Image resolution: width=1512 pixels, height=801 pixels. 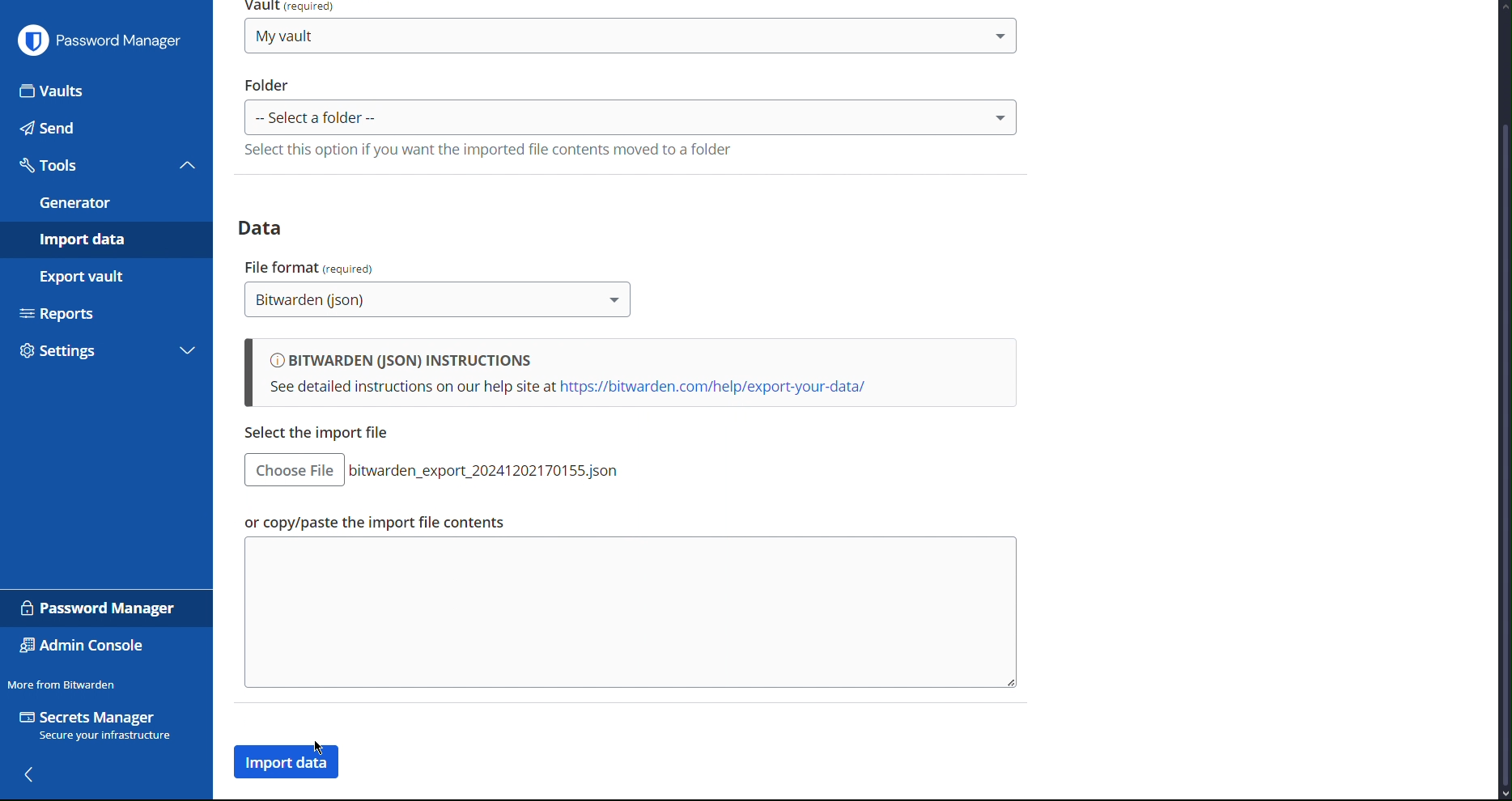 I want to click on Export vault, so click(x=100, y=276).